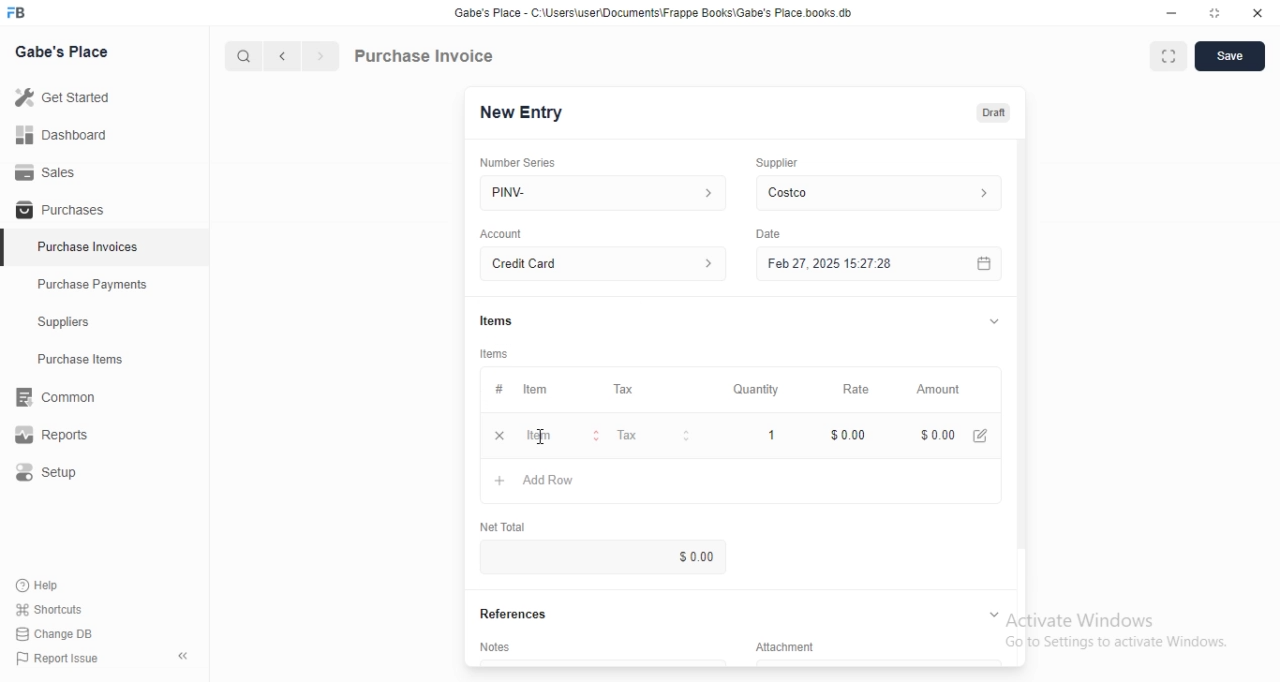  I want to click on Collapse, so click(994, 614).